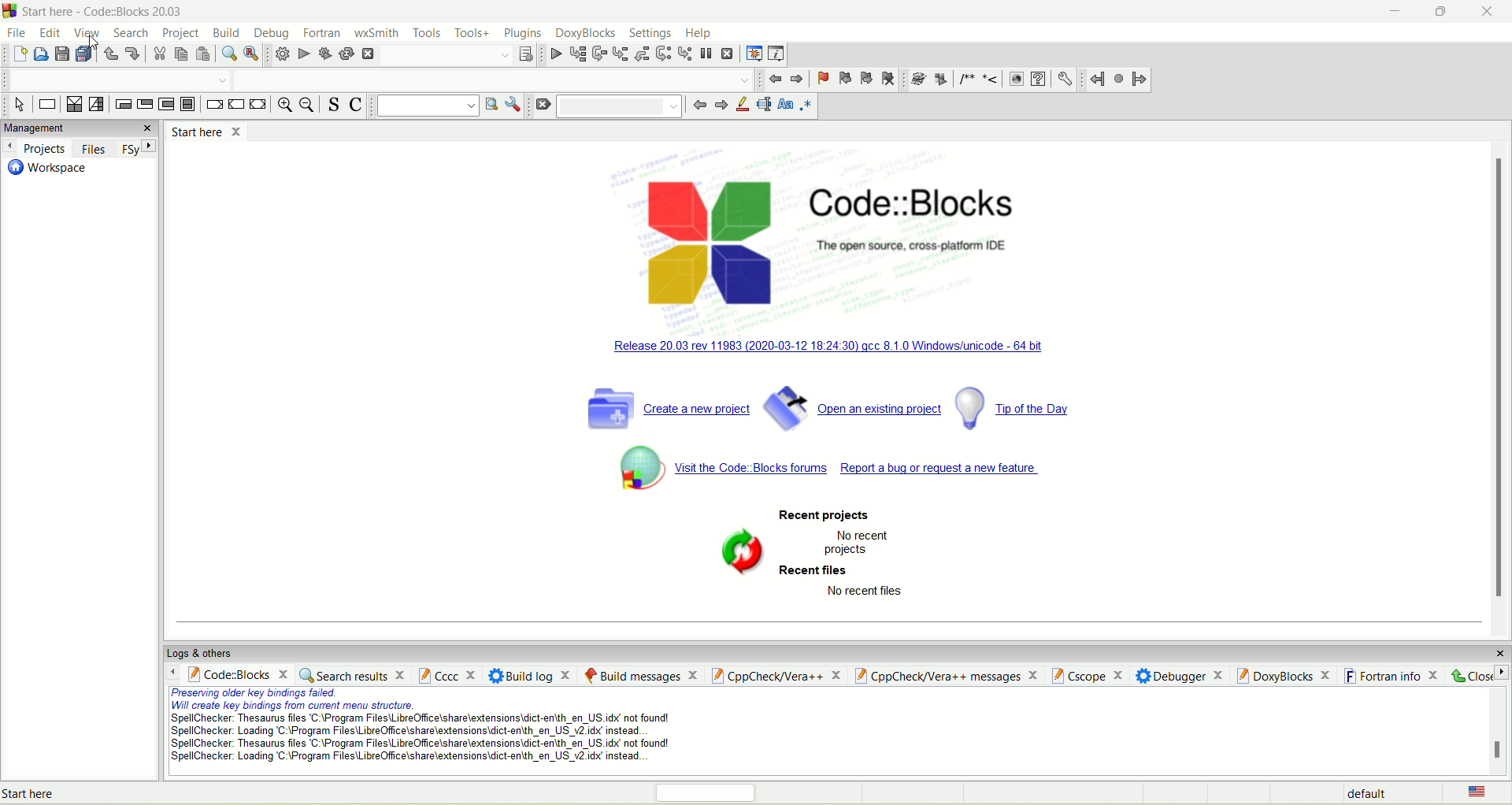 This screenshot has height=805, width=1512. Describe the element at coordinates (1495, 649) in the screenshot. I see `close` at that location.